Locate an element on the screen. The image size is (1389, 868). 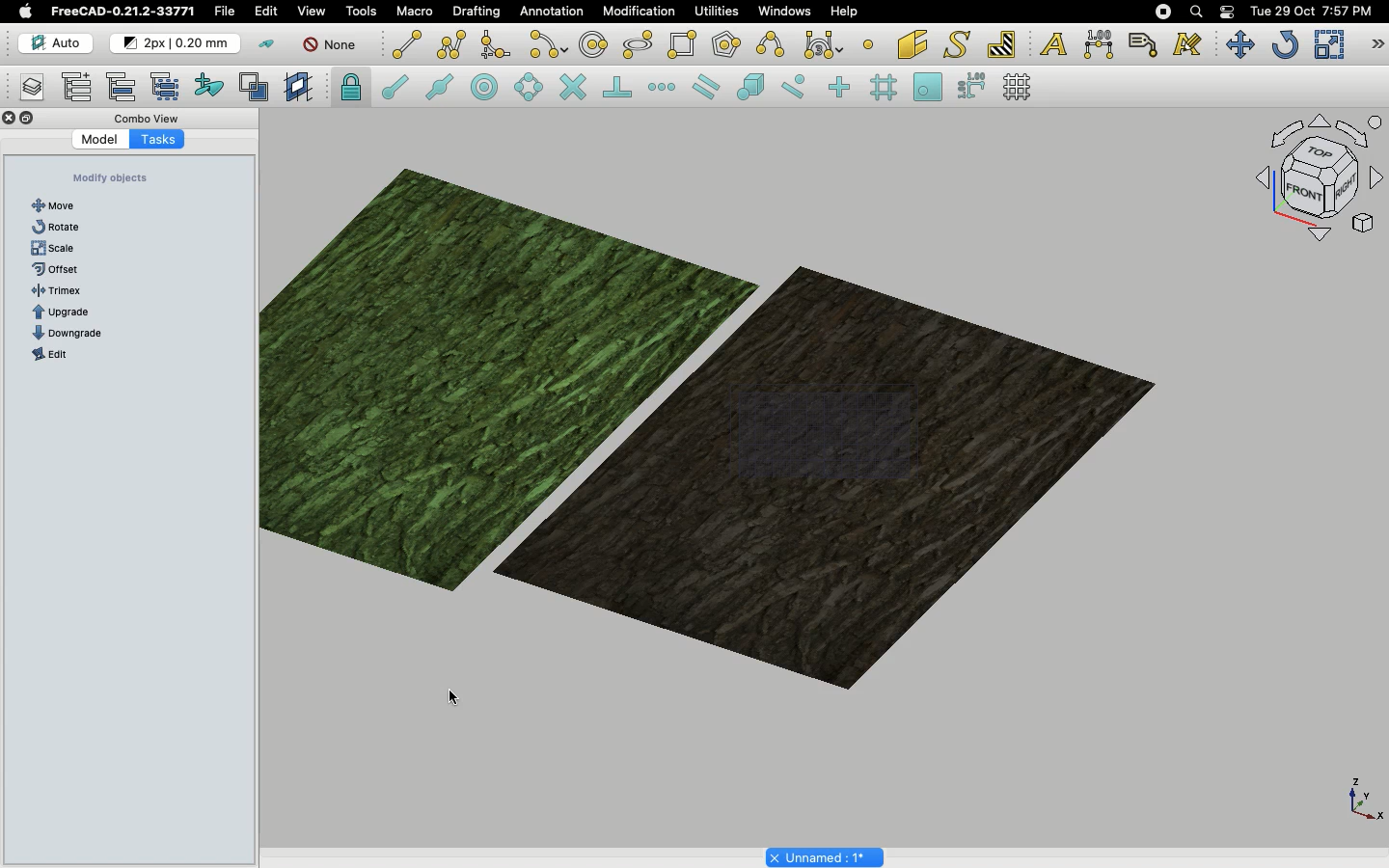
Snap angle is located at coordinates (530, 89).